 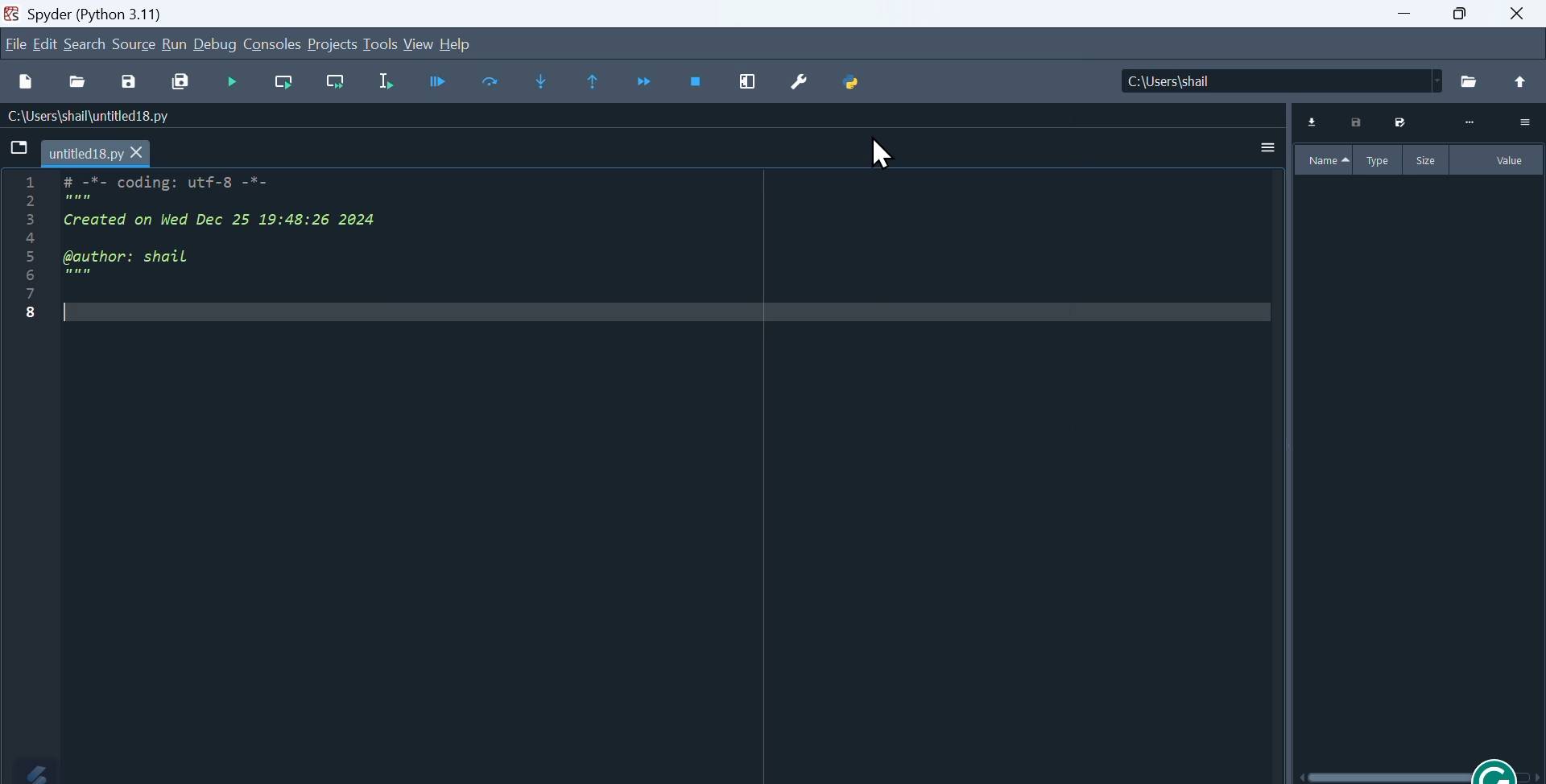 I want to click on folder, so click(x=1400, y=122).